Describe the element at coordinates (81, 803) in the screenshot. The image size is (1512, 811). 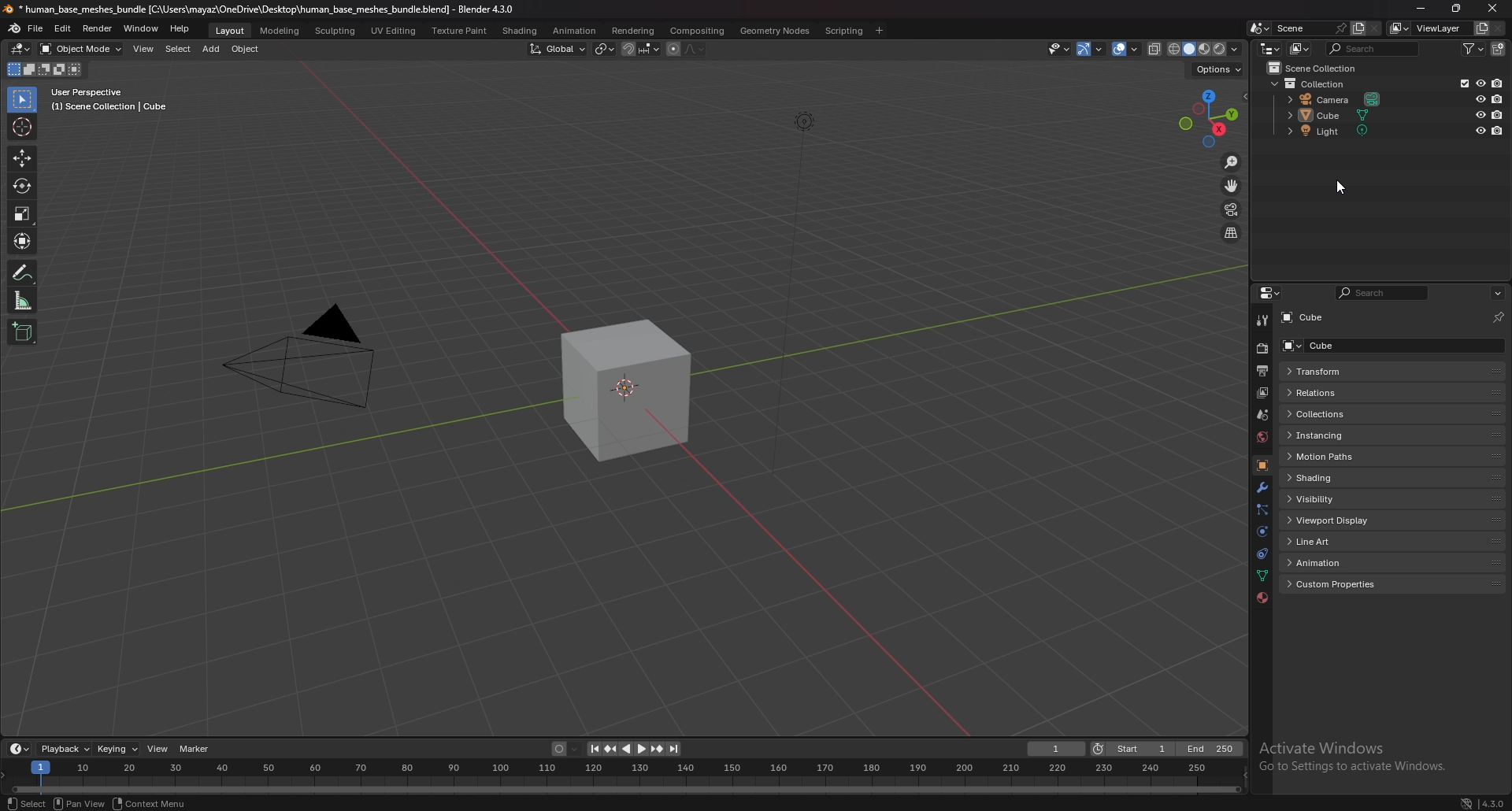
I see `pan view` at that location.